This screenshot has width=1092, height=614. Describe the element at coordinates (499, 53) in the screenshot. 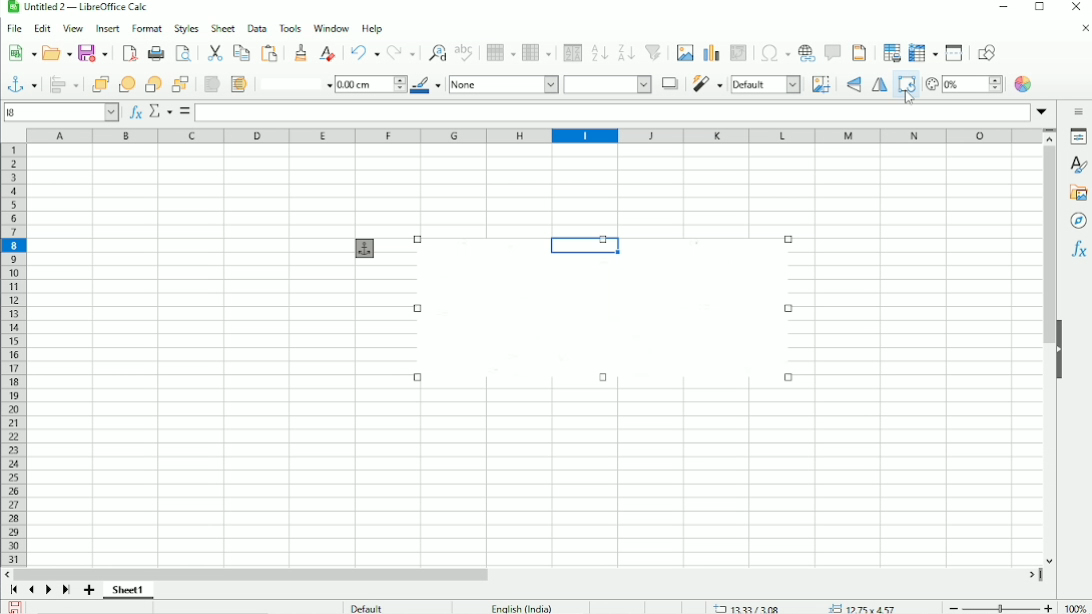

I see `Row` at that location.